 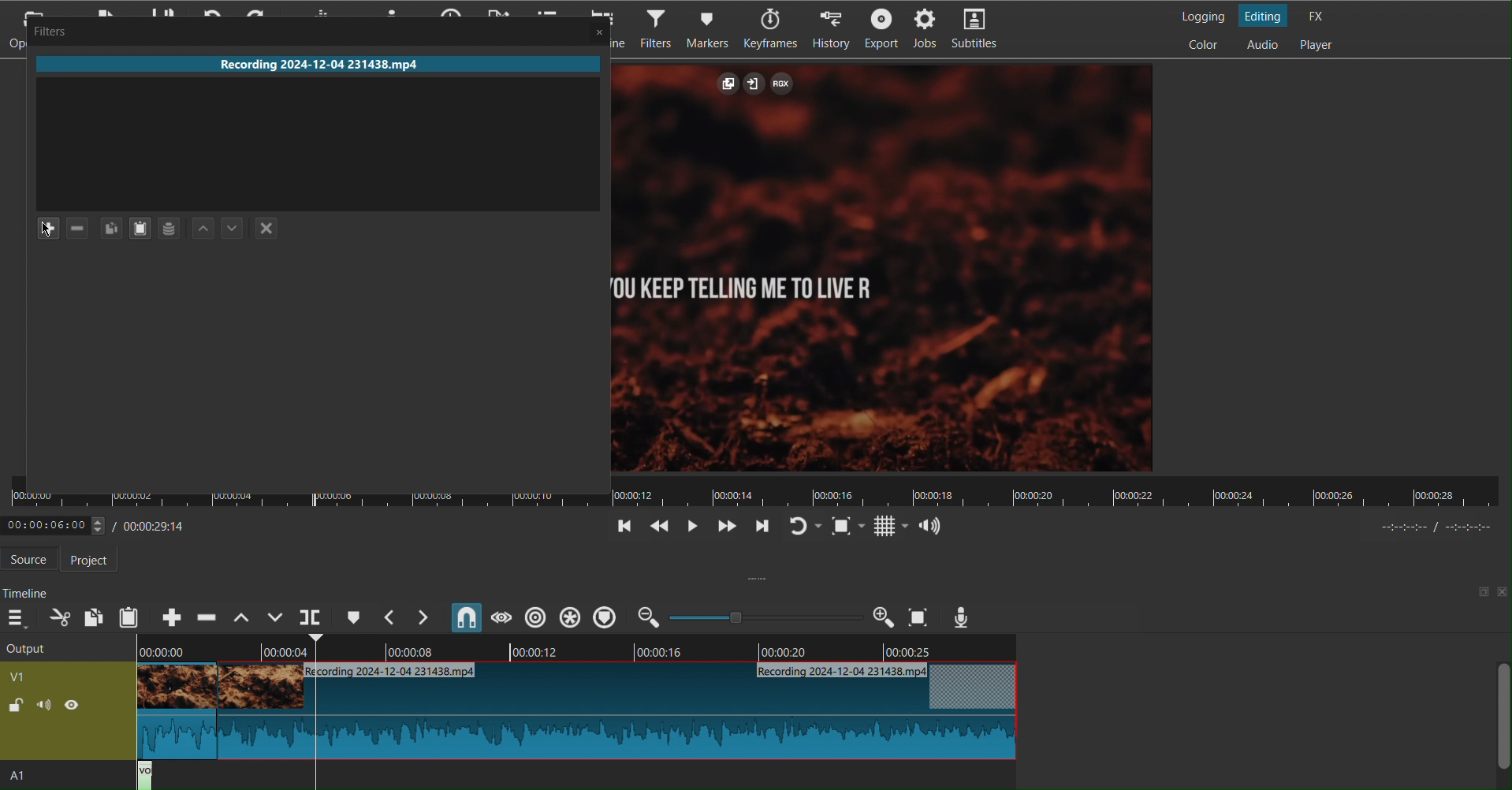 I want to click on Timeline, so click(x=579, y=647).